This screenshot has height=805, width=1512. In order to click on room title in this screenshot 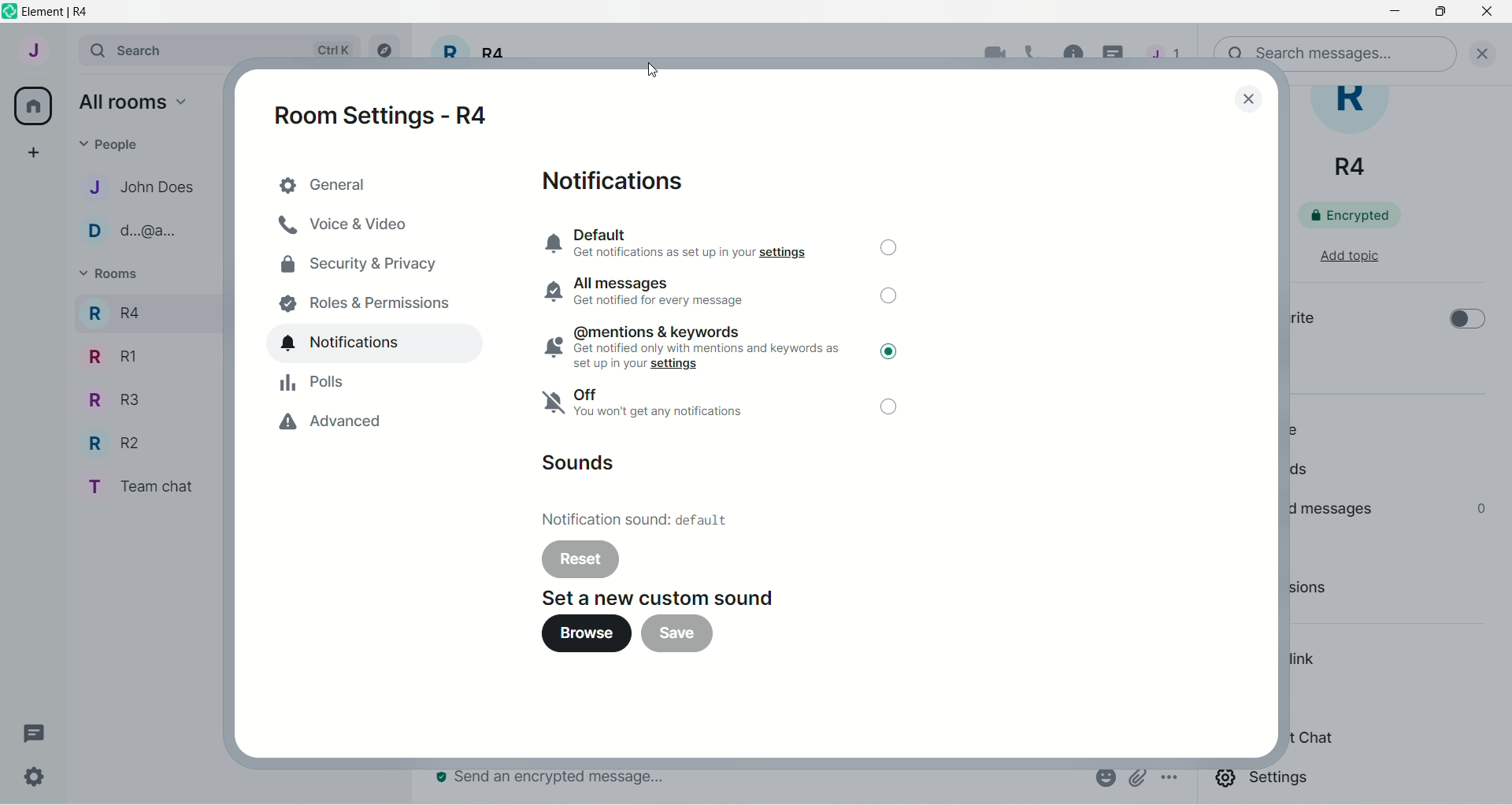, I will do `click(1359, 134)`.